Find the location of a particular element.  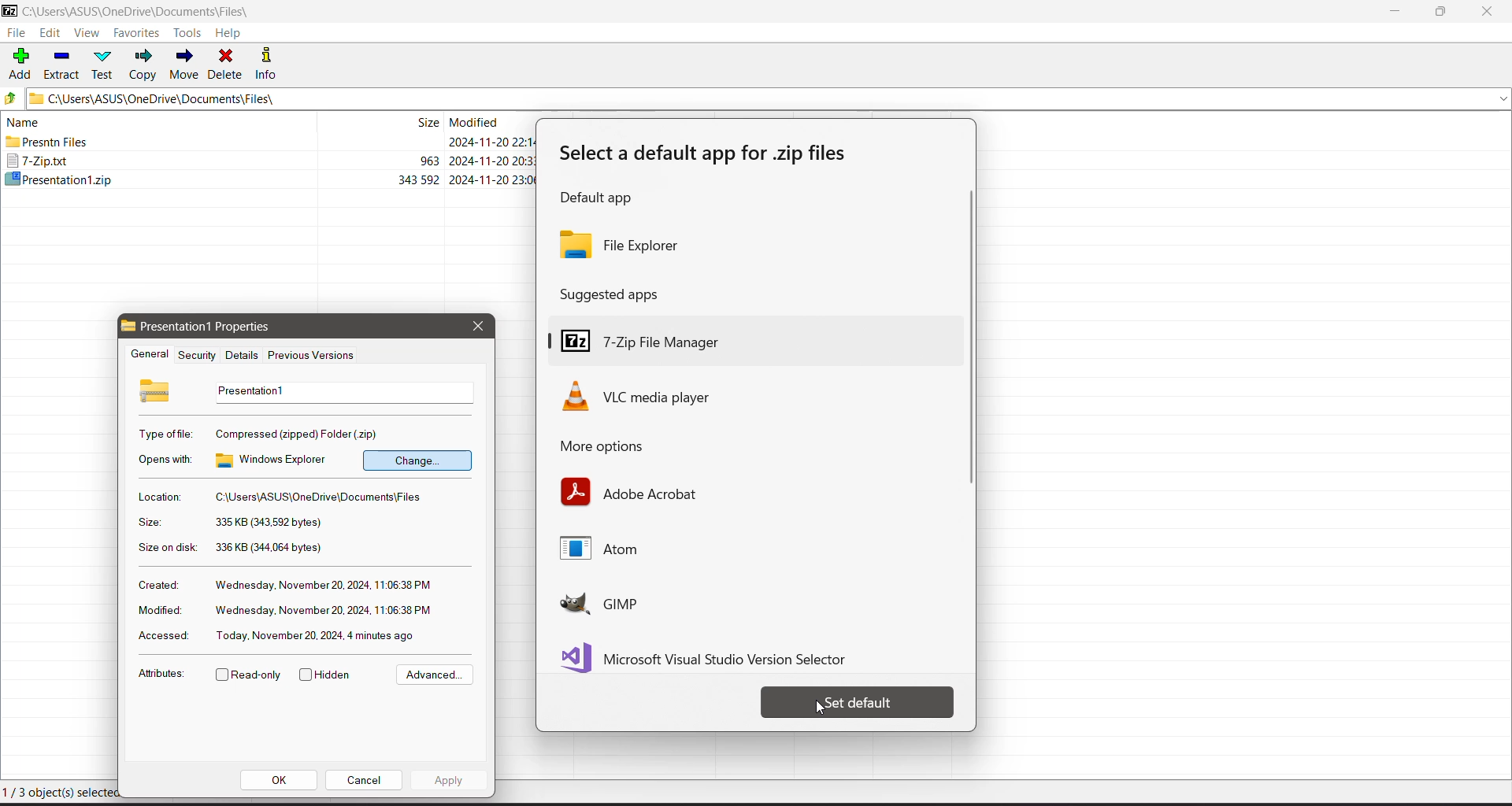

Cancel is located at coordinates (364, 779).